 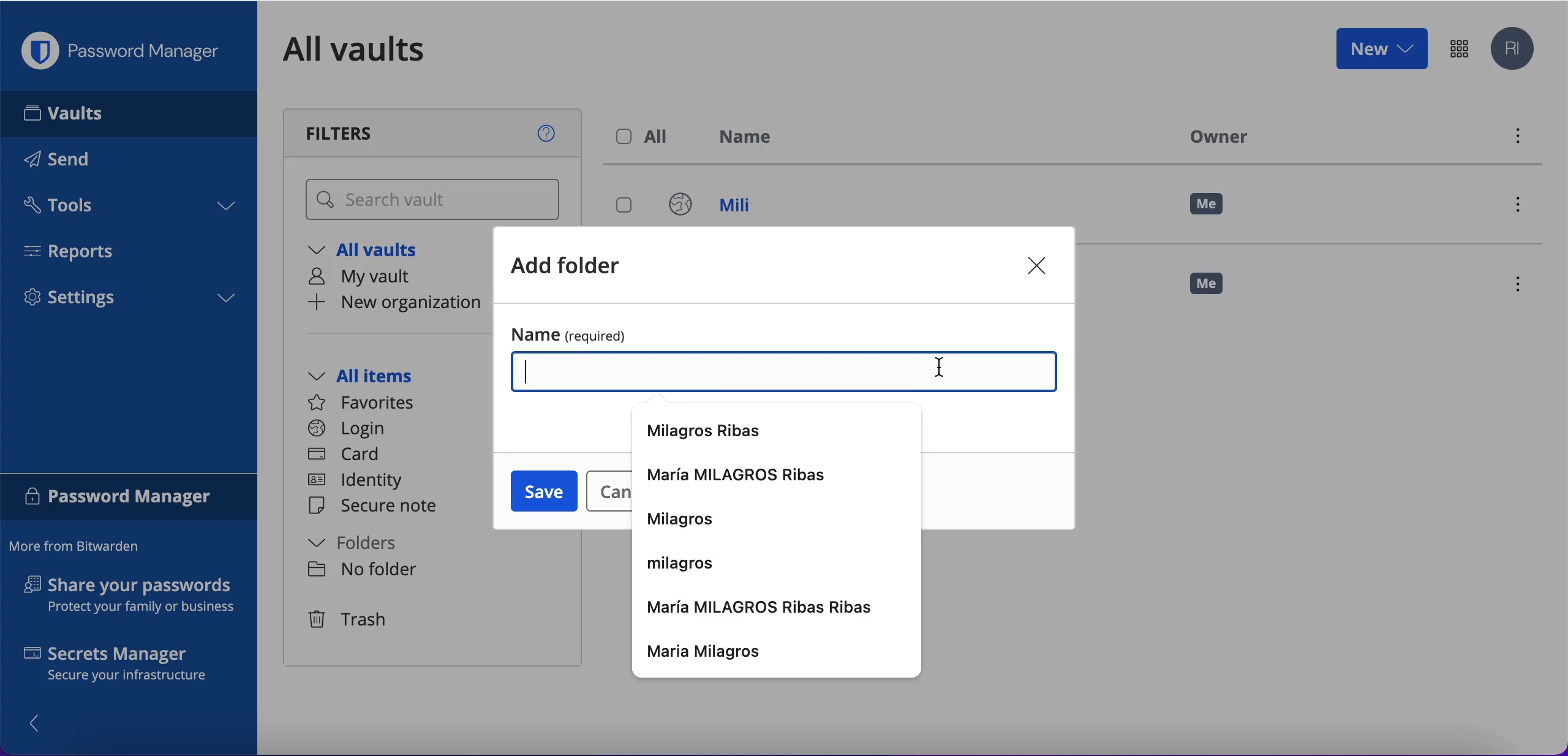 I want to click on name, so click(x=753, y=139).